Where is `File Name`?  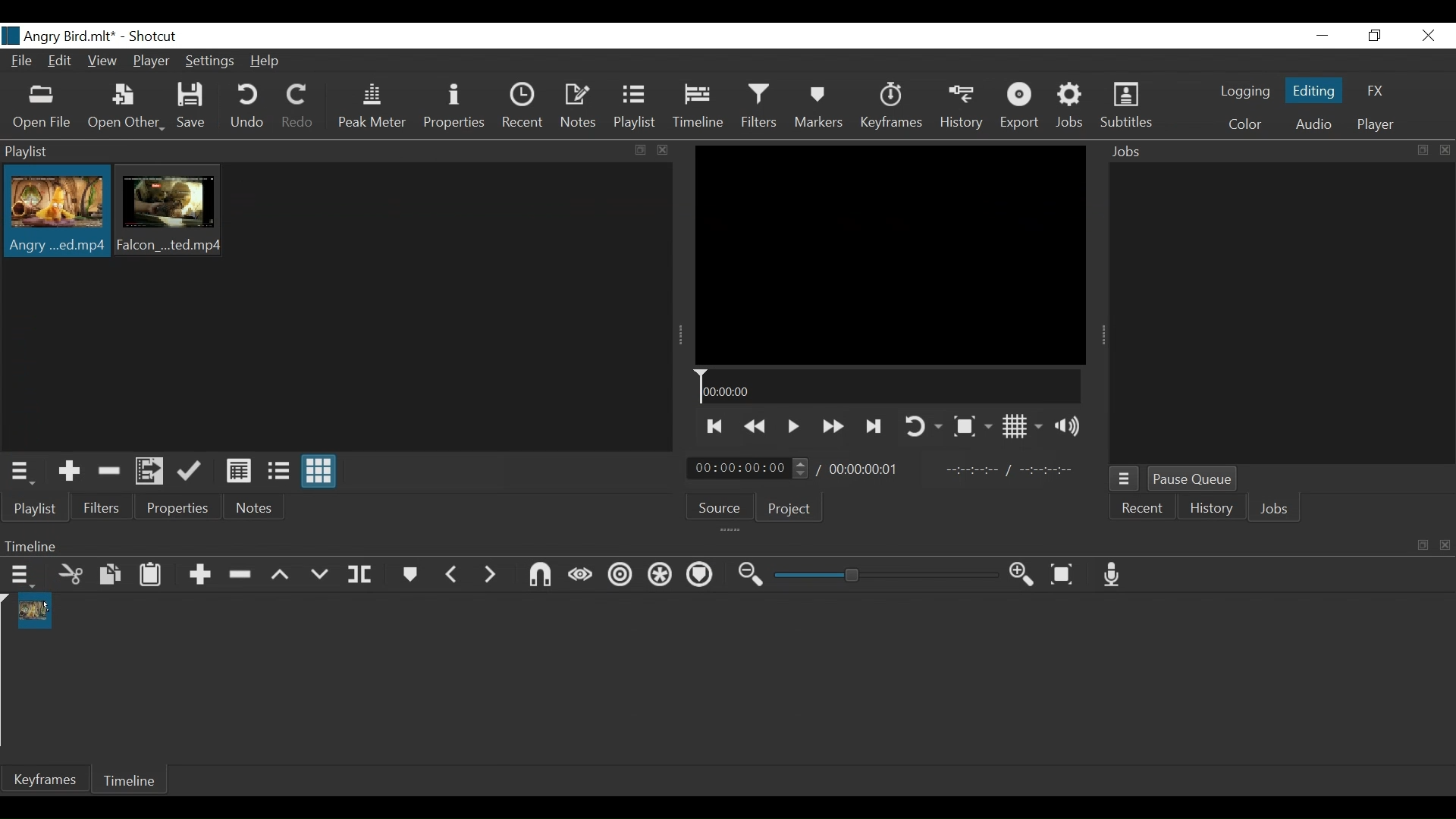 File Name is located at coordinates (58, 36).